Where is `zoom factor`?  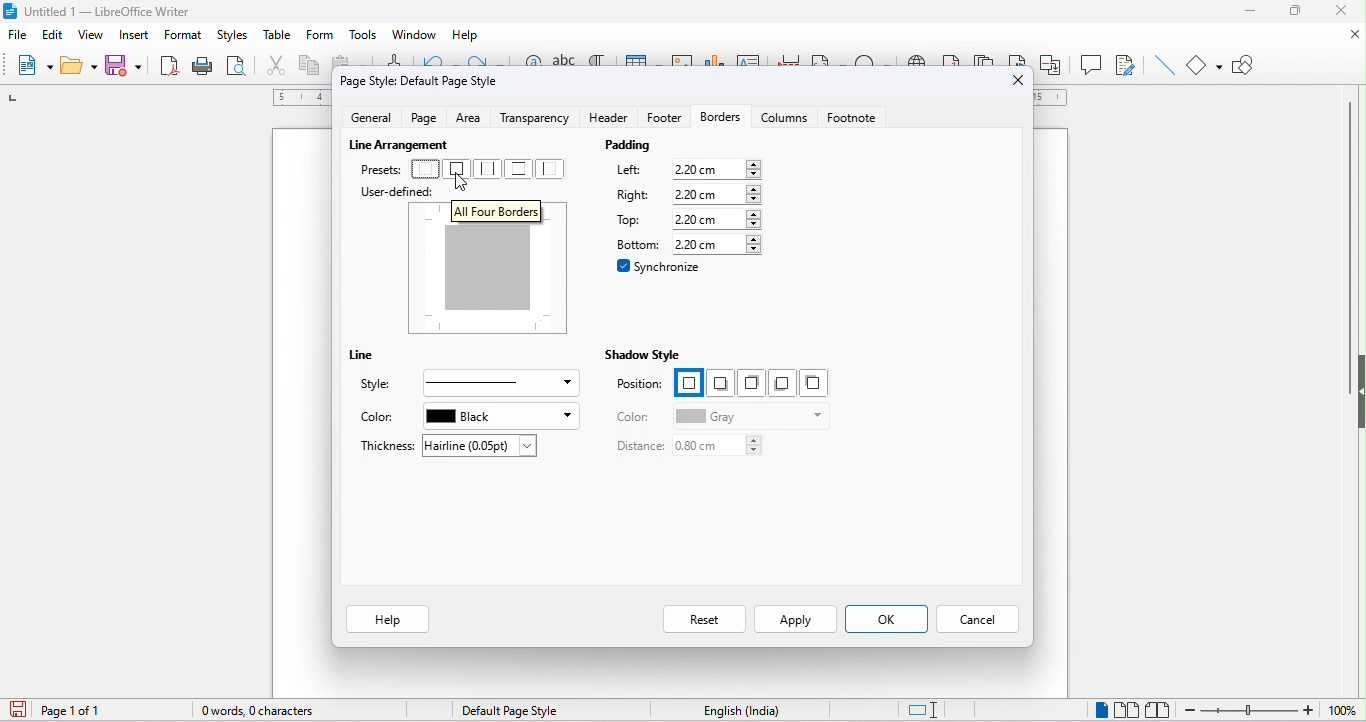 zoom factor is located at coordinates (1345, 710).